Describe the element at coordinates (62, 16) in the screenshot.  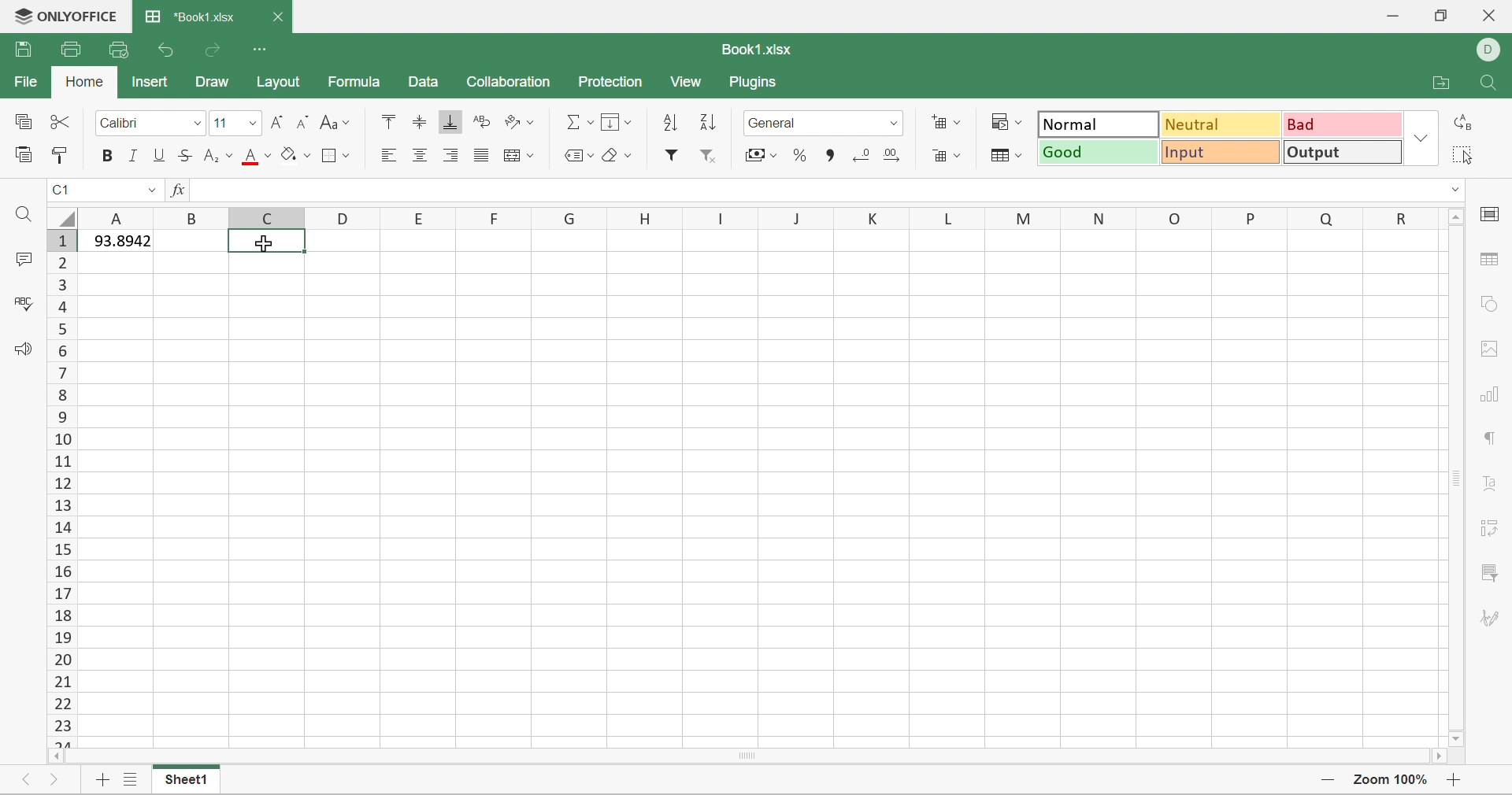
I see `ONLYOFFICE` at that location.